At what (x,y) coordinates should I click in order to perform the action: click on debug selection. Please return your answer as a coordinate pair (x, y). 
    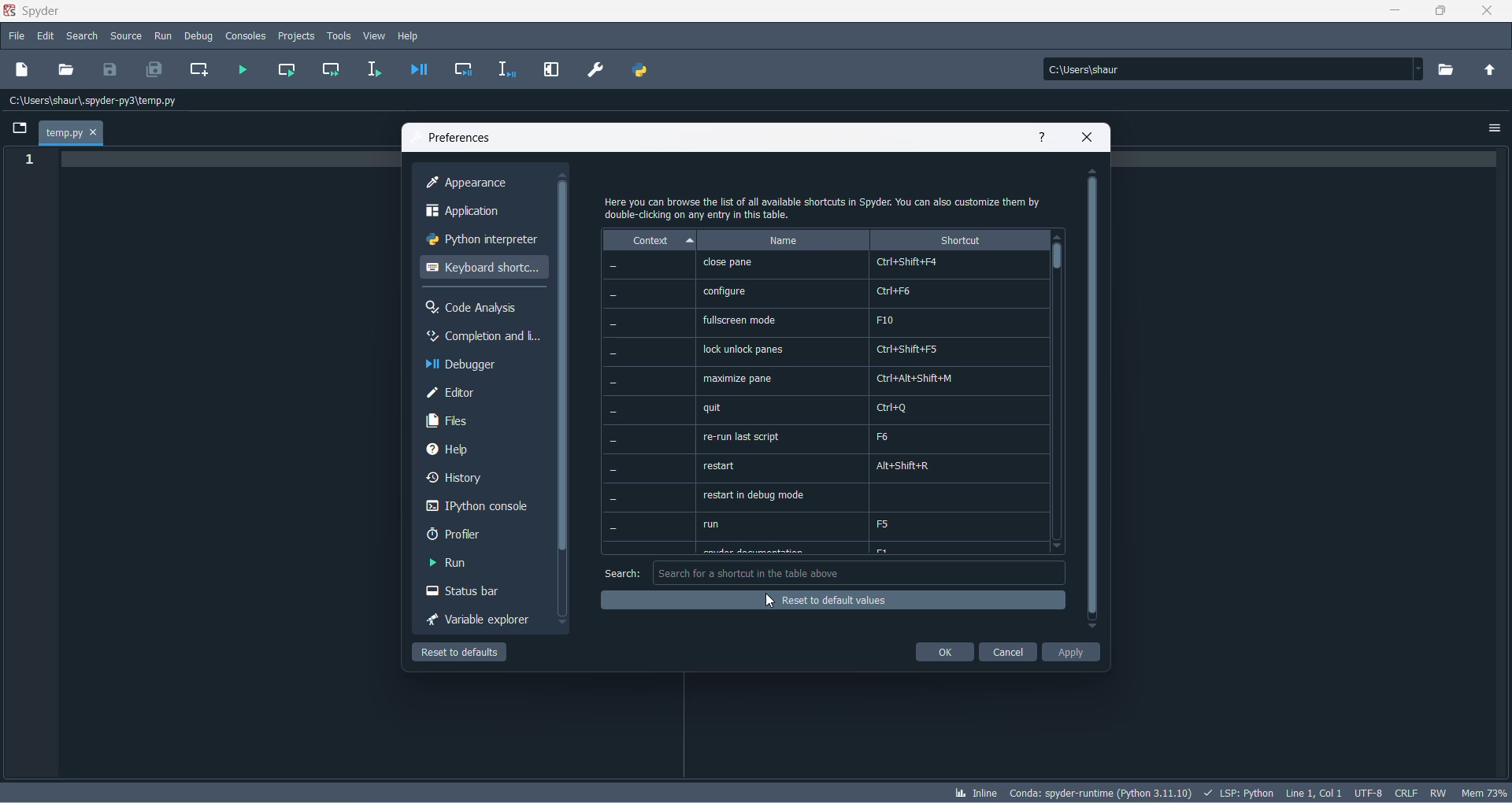
    Looking at the image, I should click on (509, 71).